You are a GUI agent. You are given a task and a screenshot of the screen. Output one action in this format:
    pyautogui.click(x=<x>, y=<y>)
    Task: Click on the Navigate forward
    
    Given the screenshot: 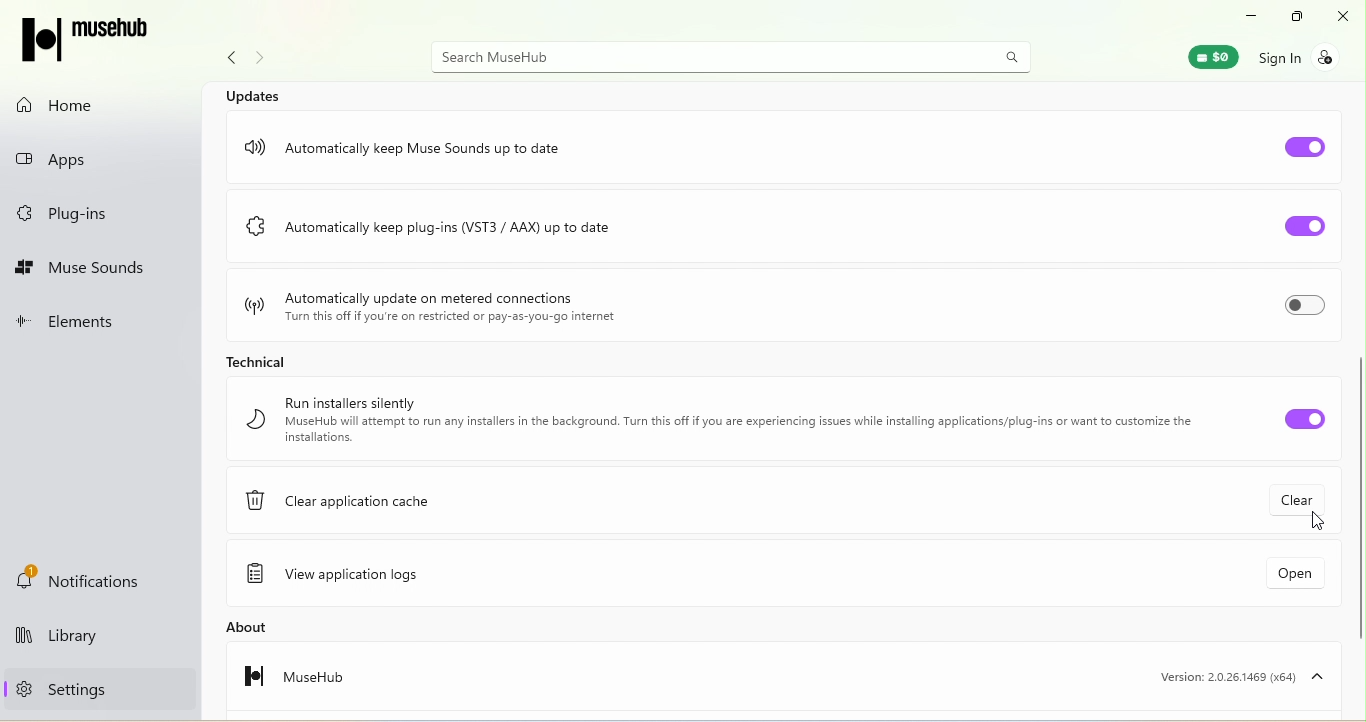 What is the action you would take?
    pyautogui.click(x=264, y=60)
    